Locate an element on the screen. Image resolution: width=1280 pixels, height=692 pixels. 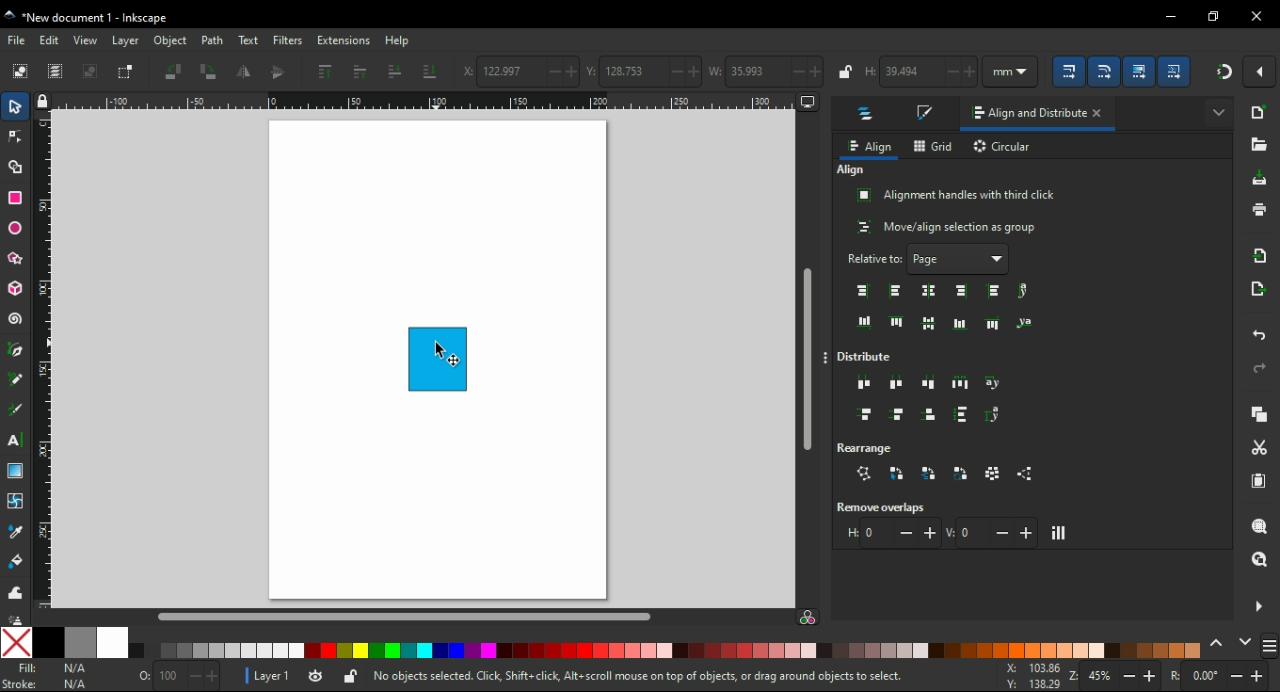
distribute horizontally with even spacing between centers is located at coordinates (897, 385).